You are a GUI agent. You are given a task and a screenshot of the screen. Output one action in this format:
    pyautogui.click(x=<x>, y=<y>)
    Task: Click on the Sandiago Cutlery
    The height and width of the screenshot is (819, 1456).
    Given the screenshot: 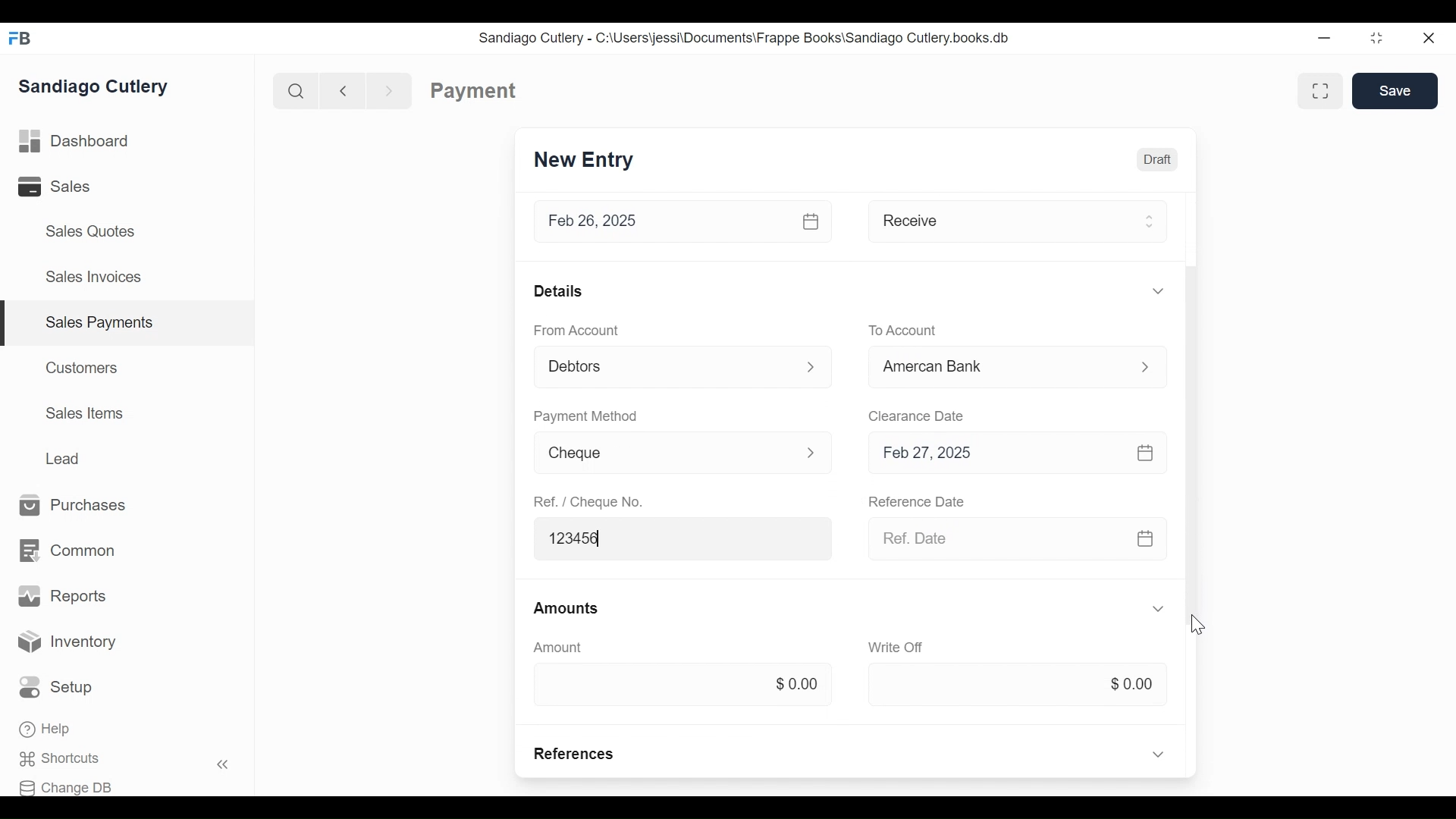 What is the action you would take?
    pyautogui.click(x=96, y=86)
    